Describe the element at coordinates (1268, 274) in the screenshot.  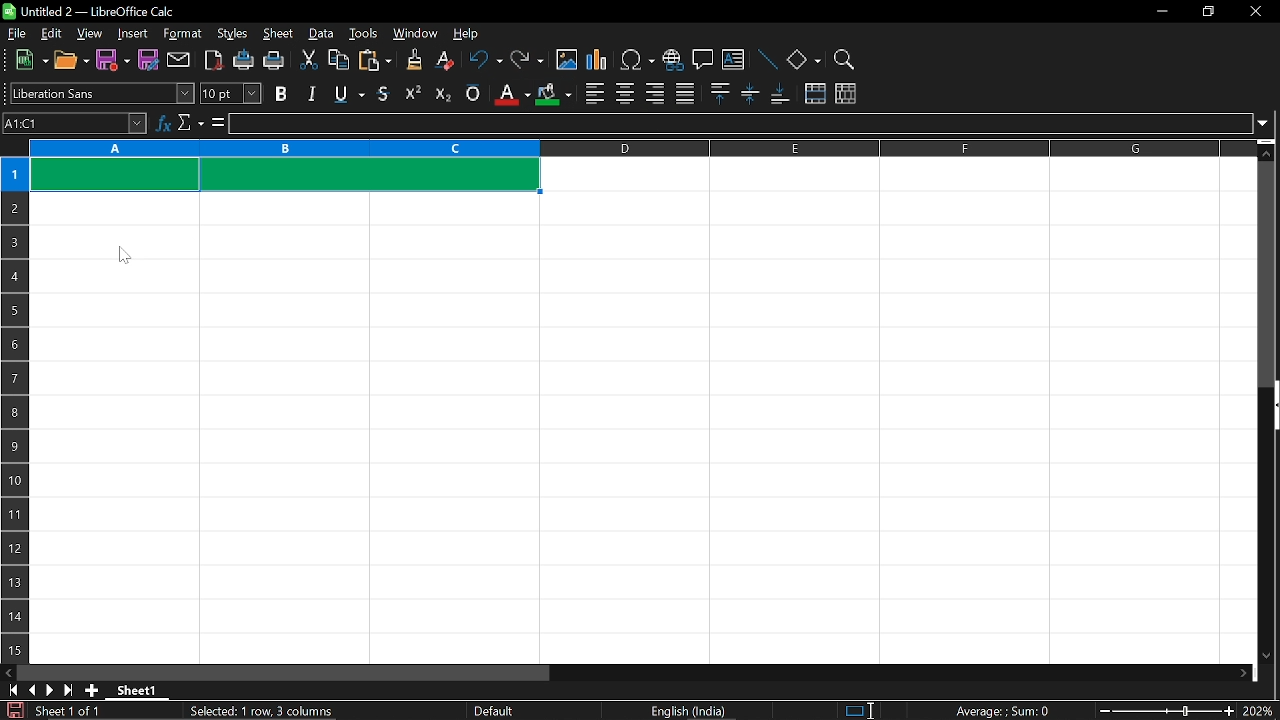
I see `vertical scrollbar` at that location.